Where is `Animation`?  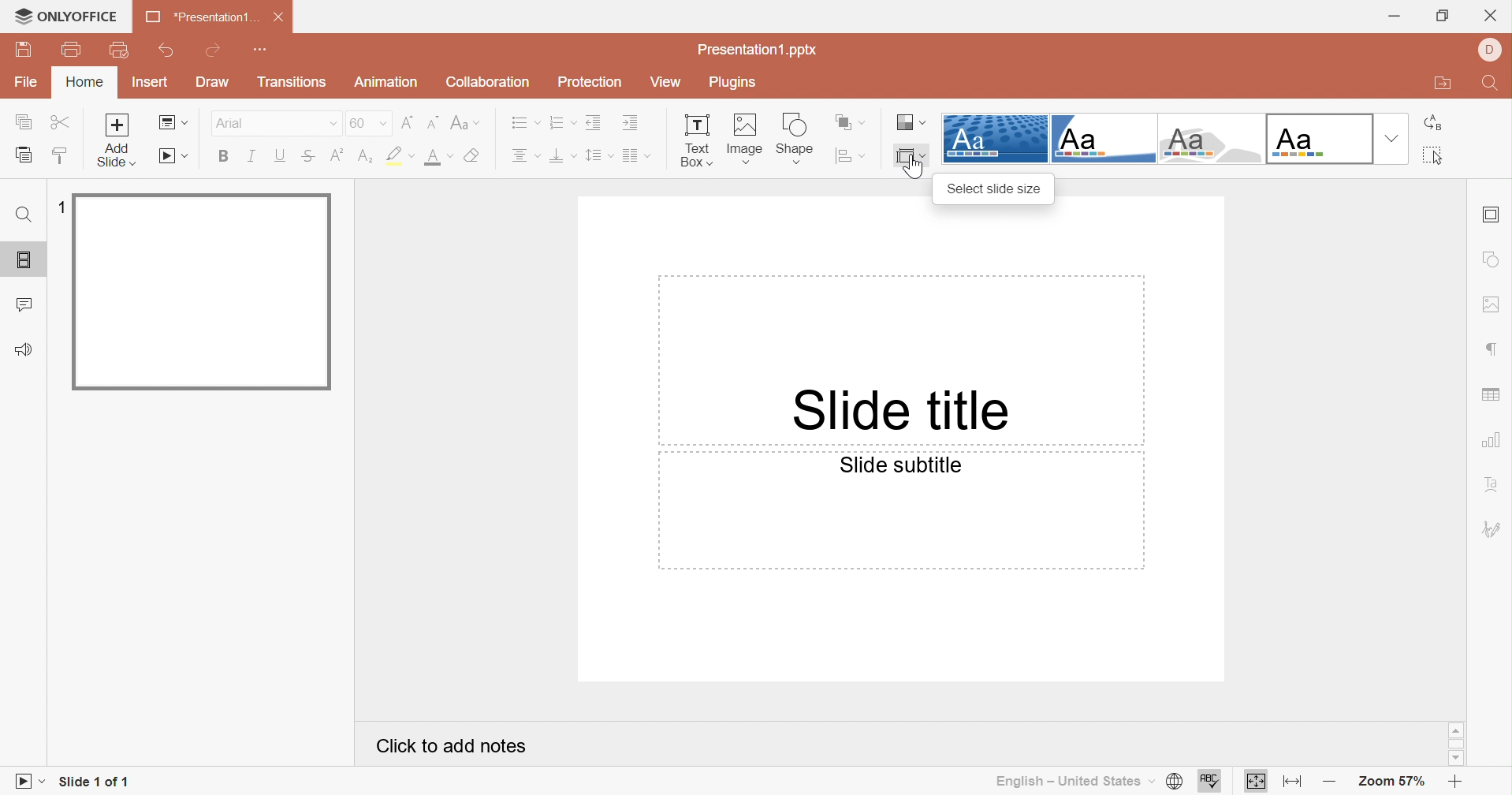
Animation is located at coordinates (385, 82).